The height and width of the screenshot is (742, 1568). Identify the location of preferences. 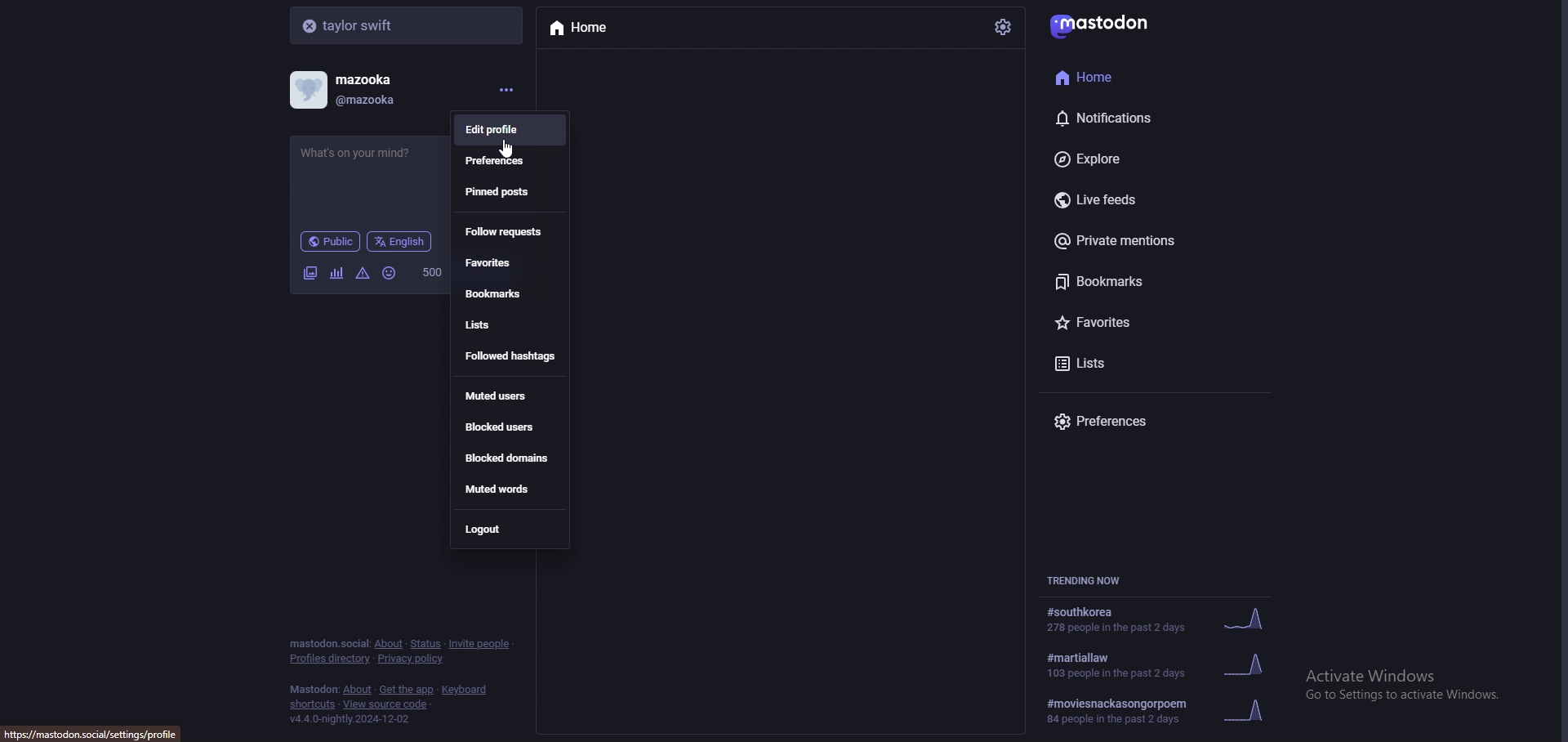
(1134, 422).